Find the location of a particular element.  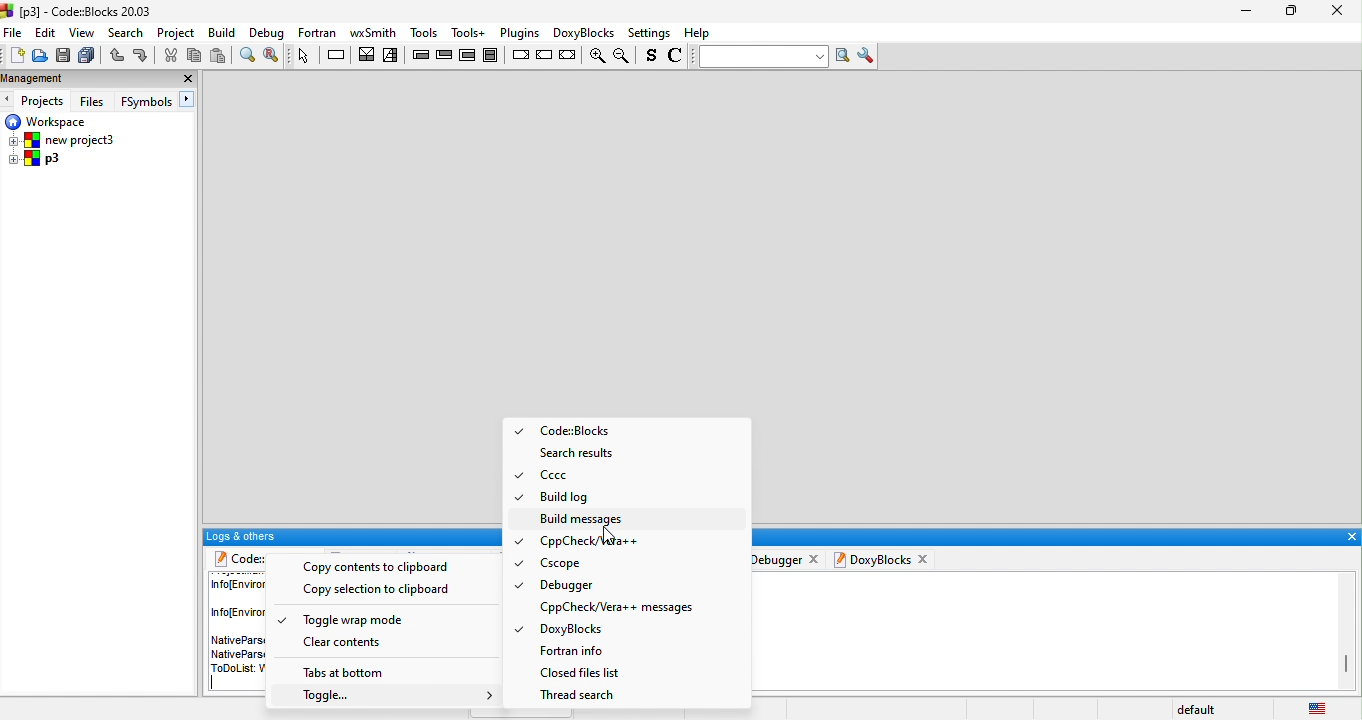

plugins is located at coordinates (517, 33).